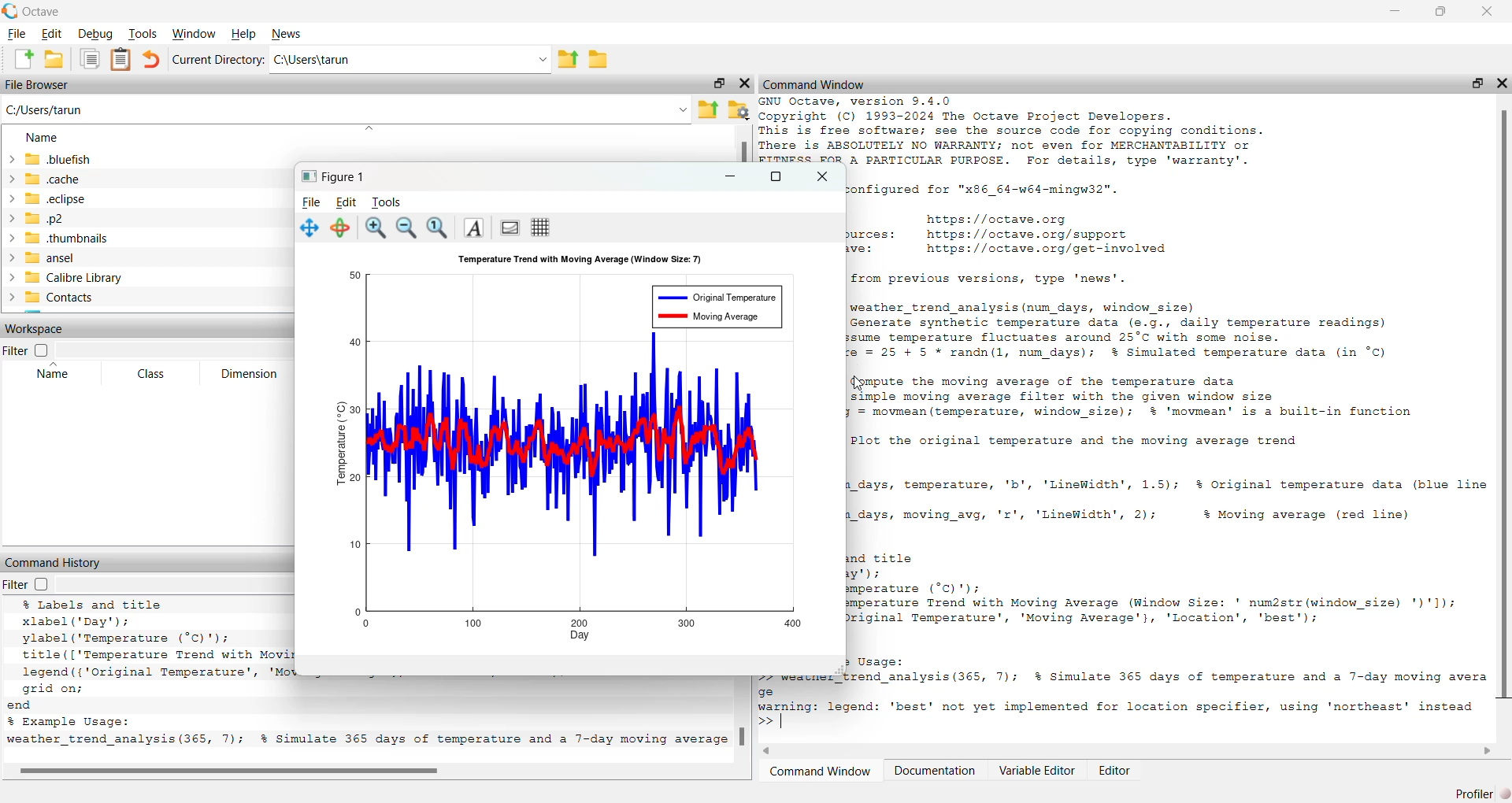 The image size is (1512, 803). Describe the element at coordinates (287, 34) in the screenshot. I see `News` at that location.